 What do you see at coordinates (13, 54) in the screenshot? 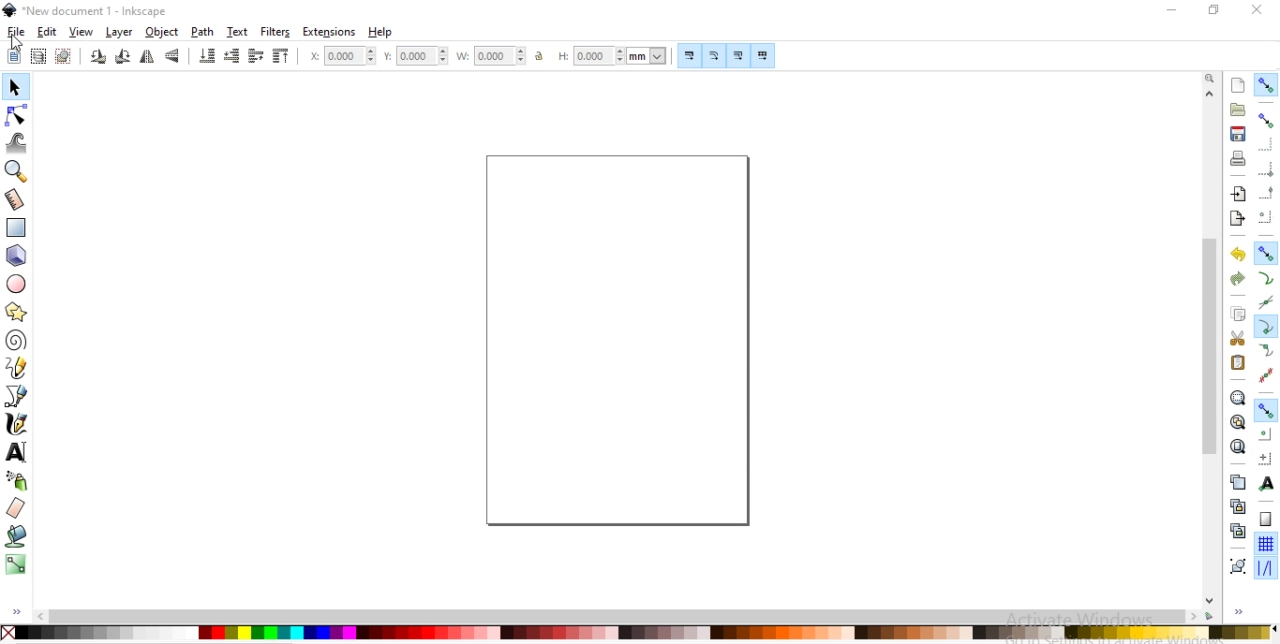
I see `select all objects or nodes` at bounding box center [13, 54].